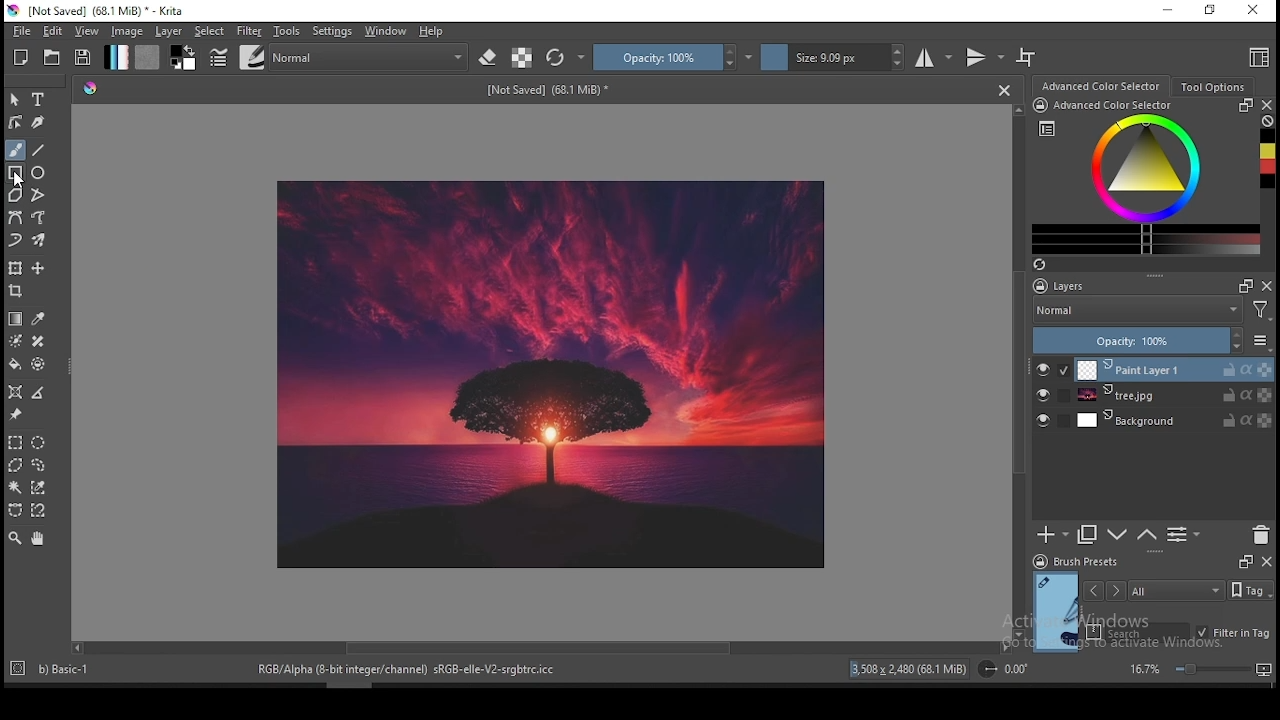  What do you see at coordinates (984, 58) in the screenshot?
I see `vertical mirror tool` at bounding box center [984, 58].